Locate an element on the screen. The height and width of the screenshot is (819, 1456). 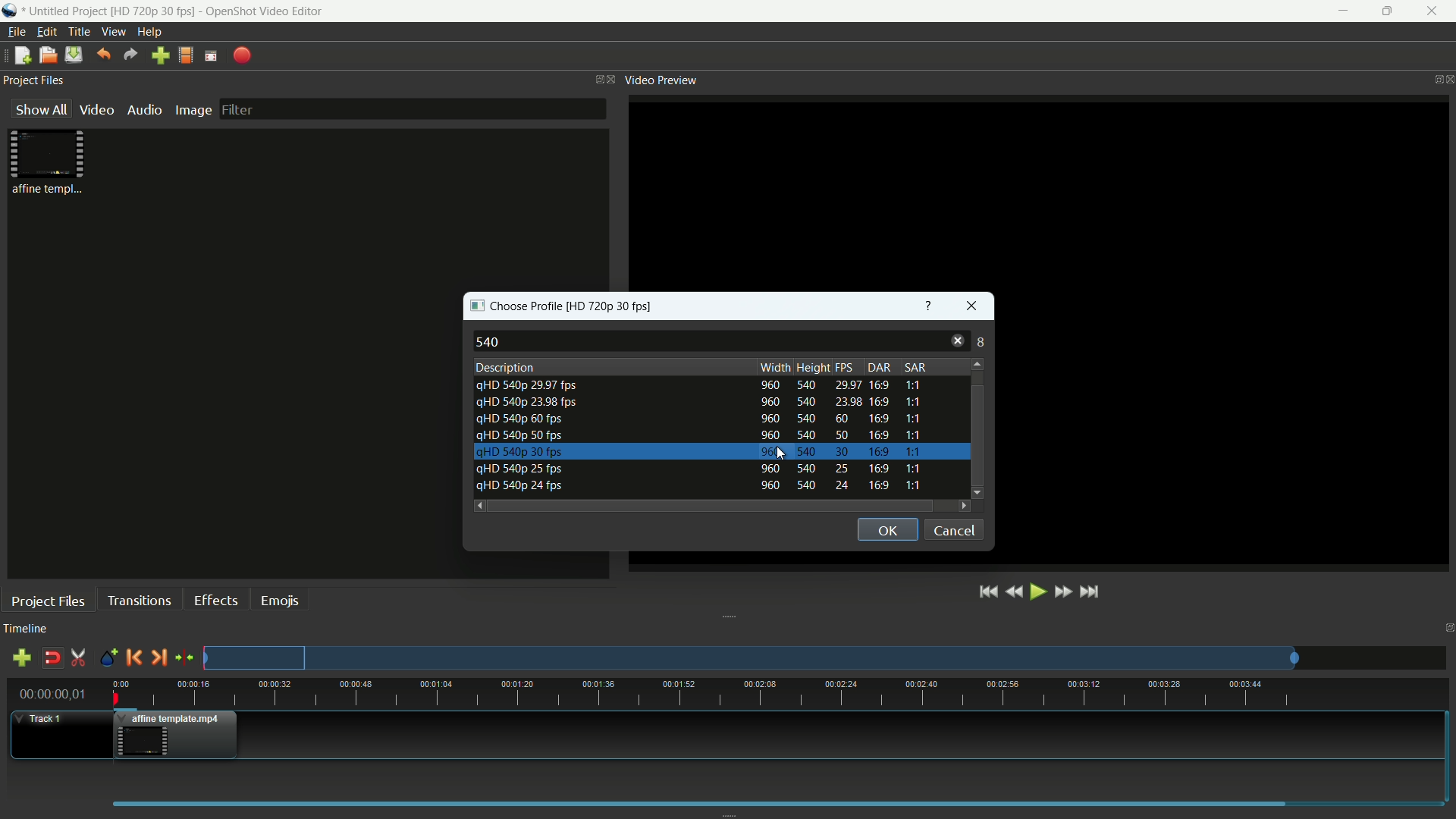
description is located at coordinates (504, 367).